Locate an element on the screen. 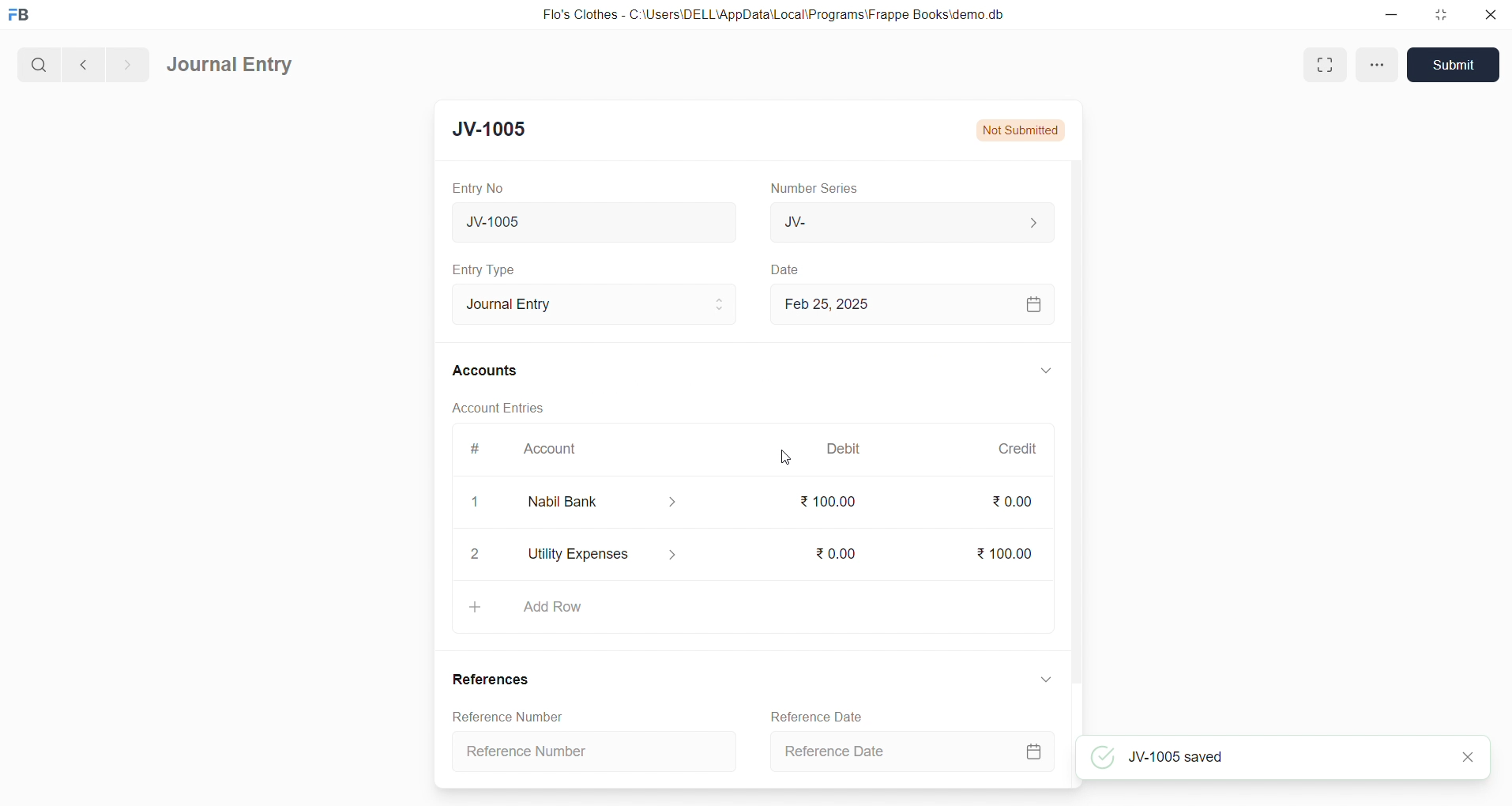  ₹ 0.00 is located at coordinates (832, 551).